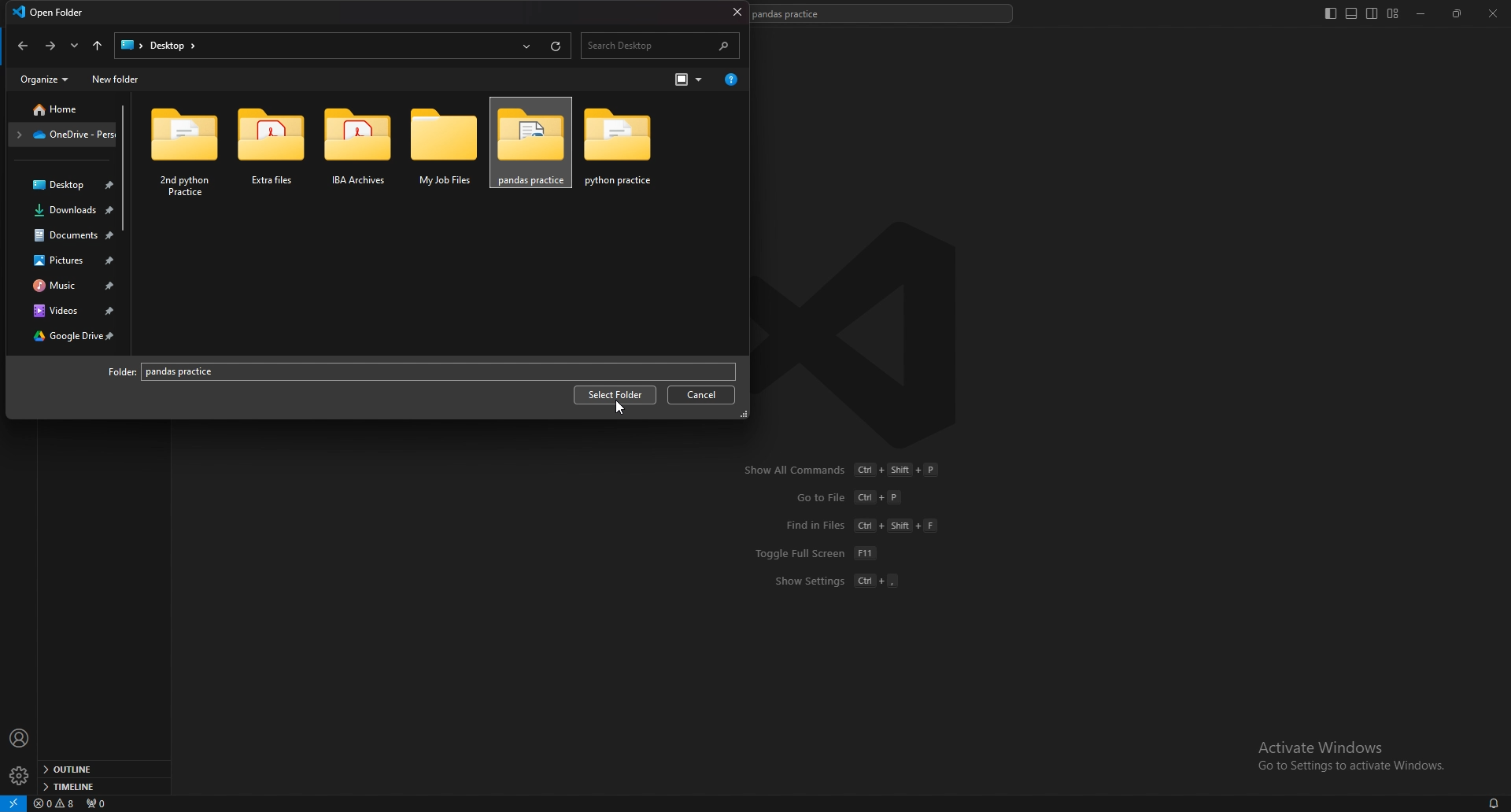 Image resolution: width=1511 pixels, height=812 pixels. What do you see at coordinates (13, 803) in the screenshot?
I see `remote window` at bounding box center [13, 803].